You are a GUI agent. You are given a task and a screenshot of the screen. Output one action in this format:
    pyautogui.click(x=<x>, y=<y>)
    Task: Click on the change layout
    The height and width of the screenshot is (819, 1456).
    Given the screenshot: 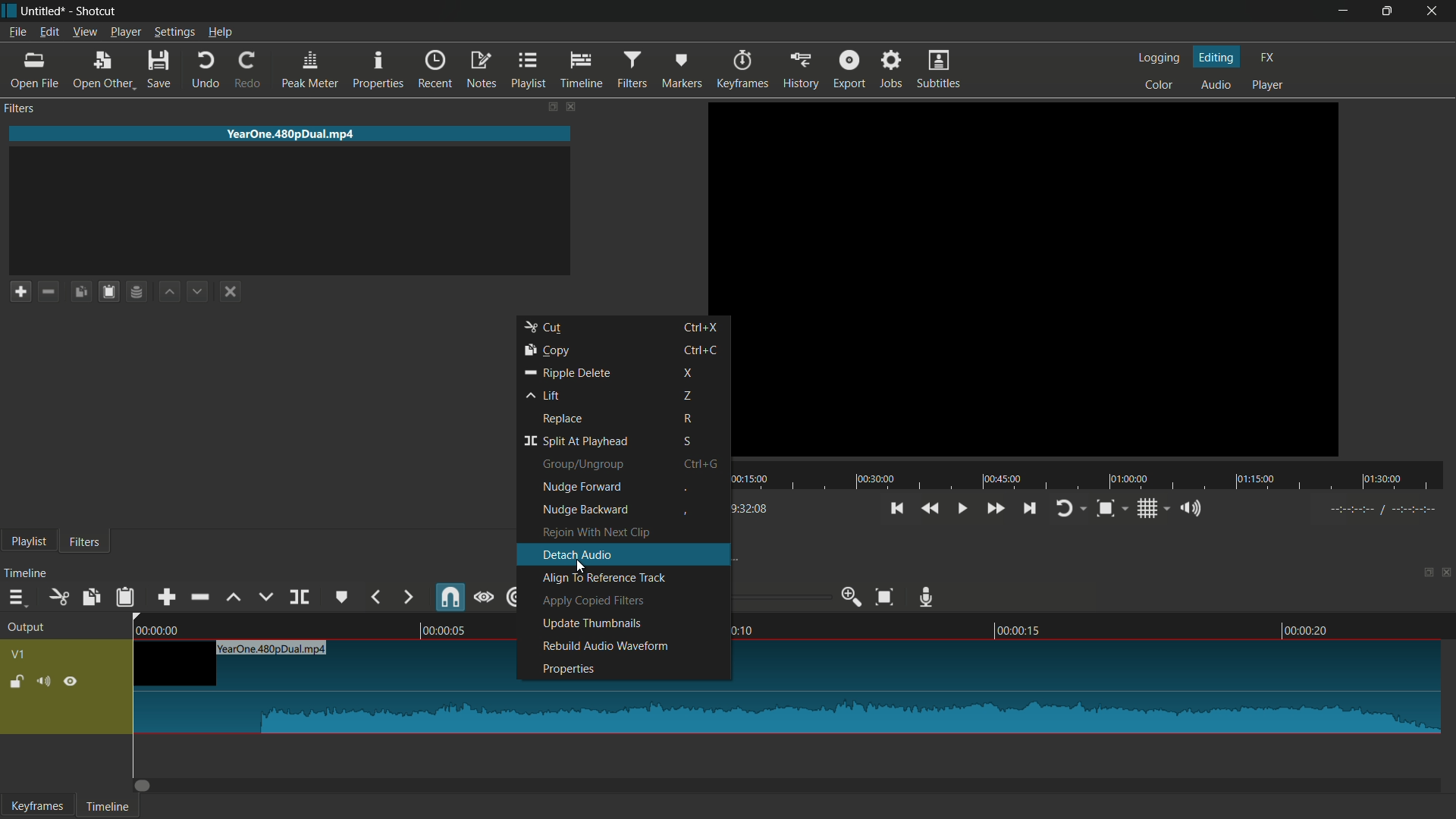 What is the action you would take?
    pyautogui.click(x=552, y=106)
    